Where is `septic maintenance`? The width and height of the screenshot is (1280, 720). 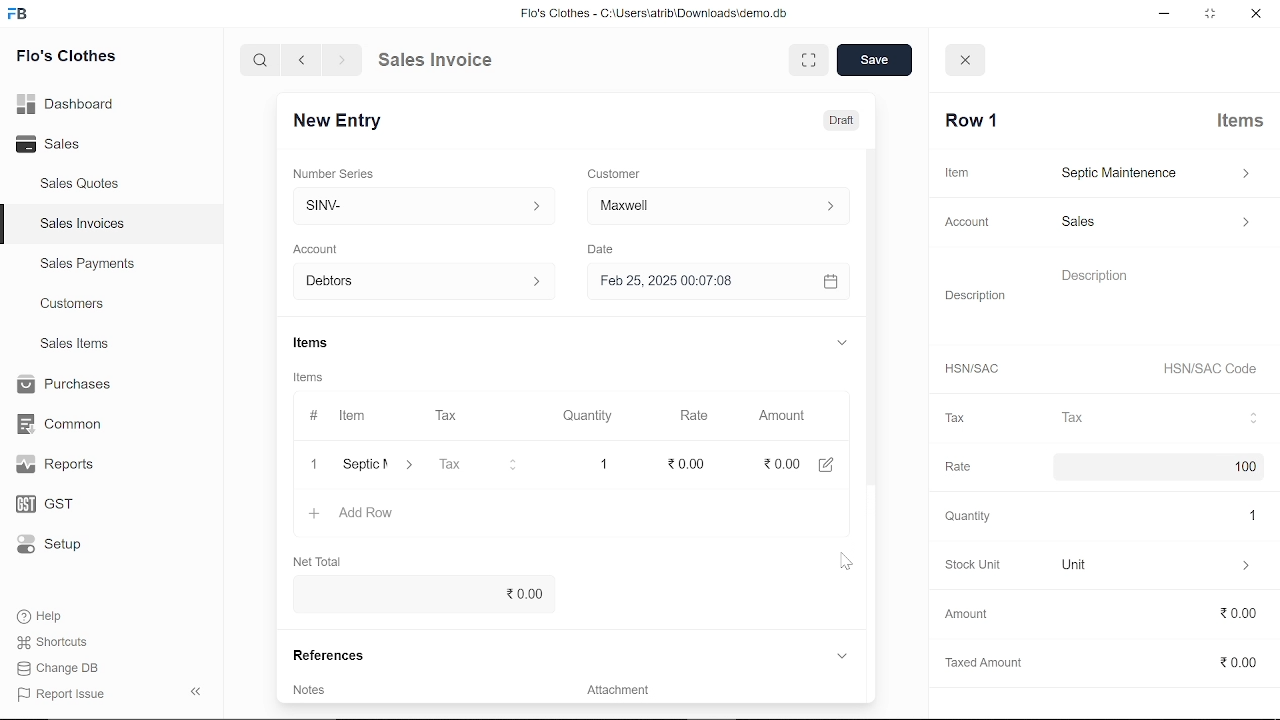
septic maintenance is located at coordinates (1156, 173).